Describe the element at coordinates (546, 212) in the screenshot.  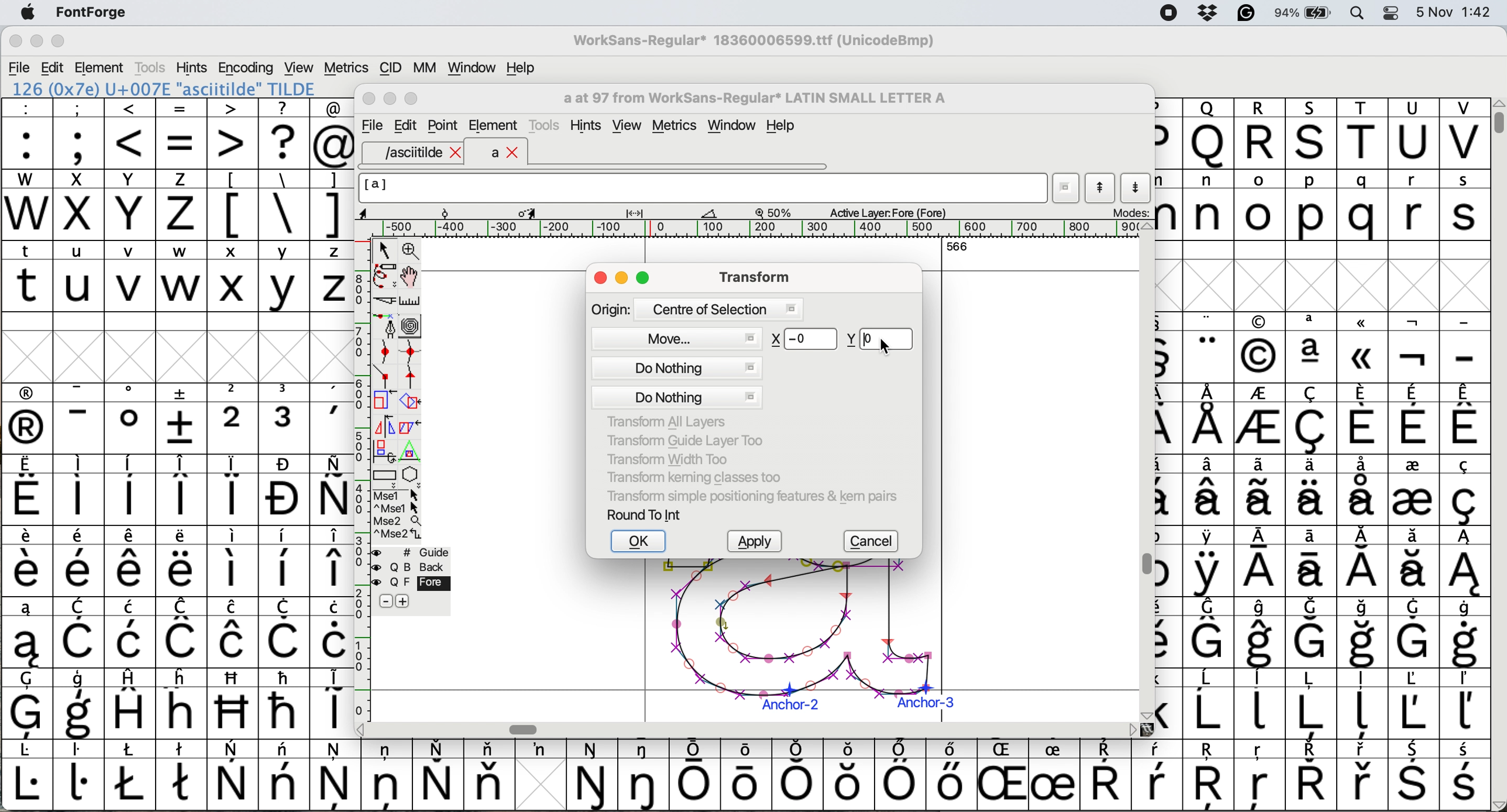
I see `glyph details` at that location.